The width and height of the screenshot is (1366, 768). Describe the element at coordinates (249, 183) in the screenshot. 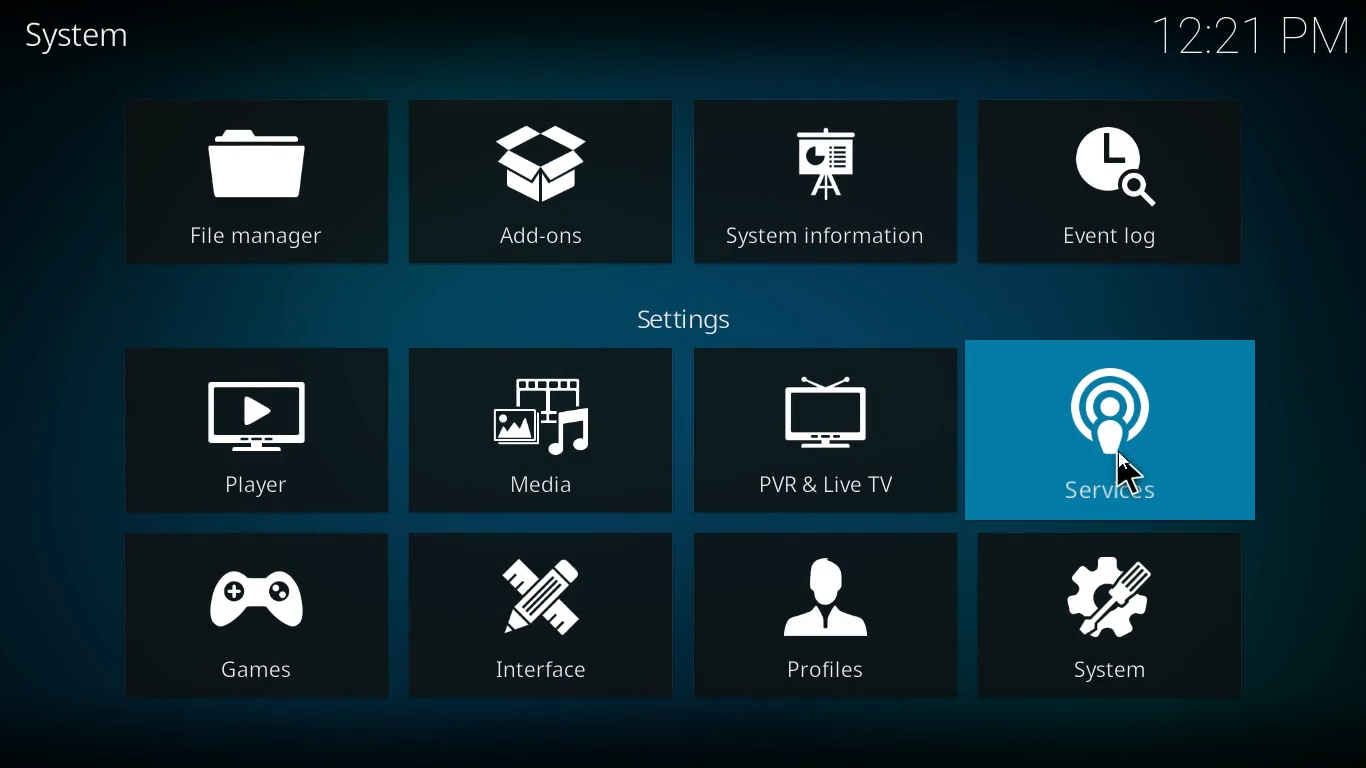

I see `file manager` at that location.